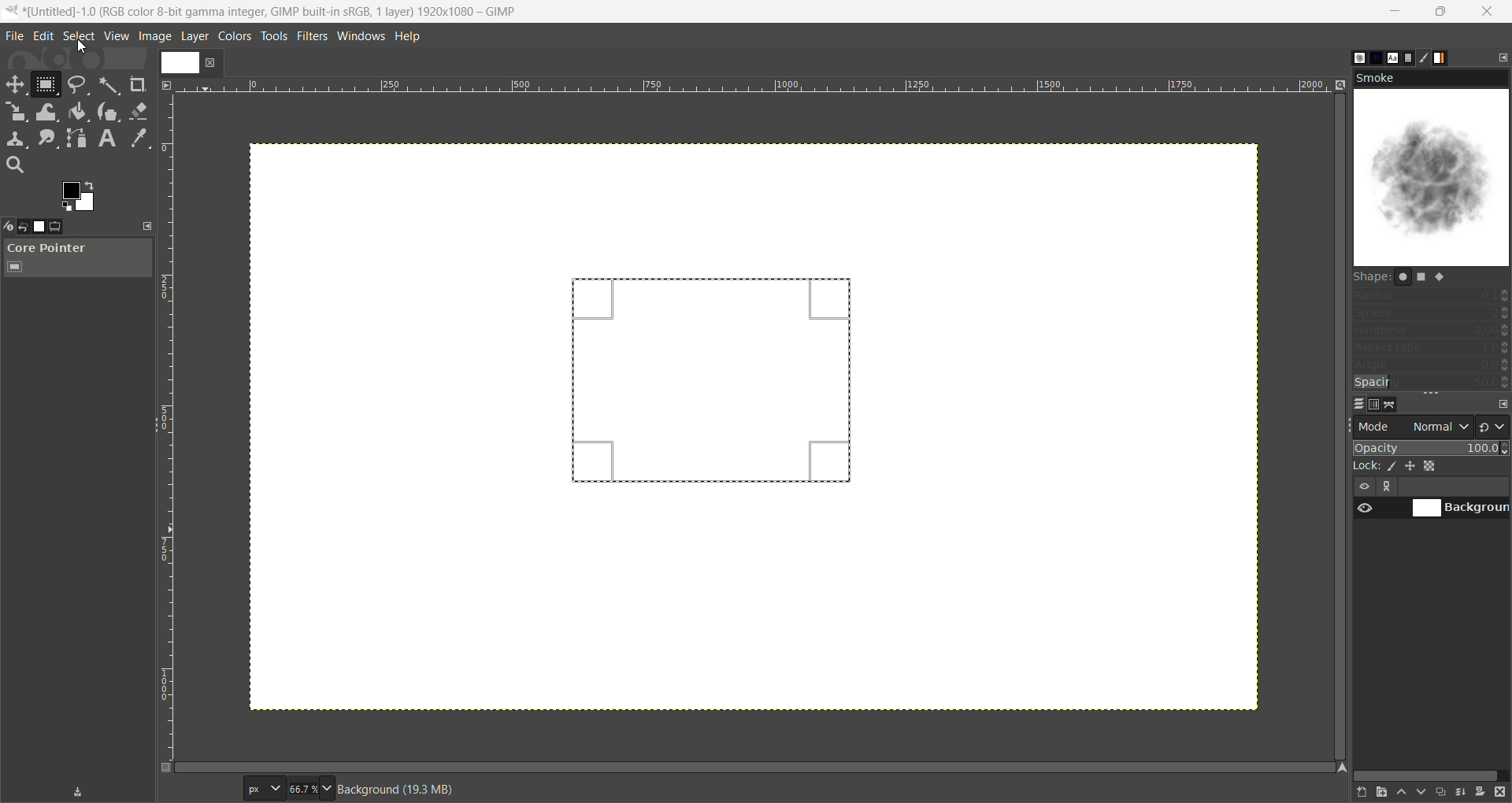 This screenshot has height=803, width=1512. Describe the element at coordinates (173, 429) in the screenshot. I see `scale bar` at that location.